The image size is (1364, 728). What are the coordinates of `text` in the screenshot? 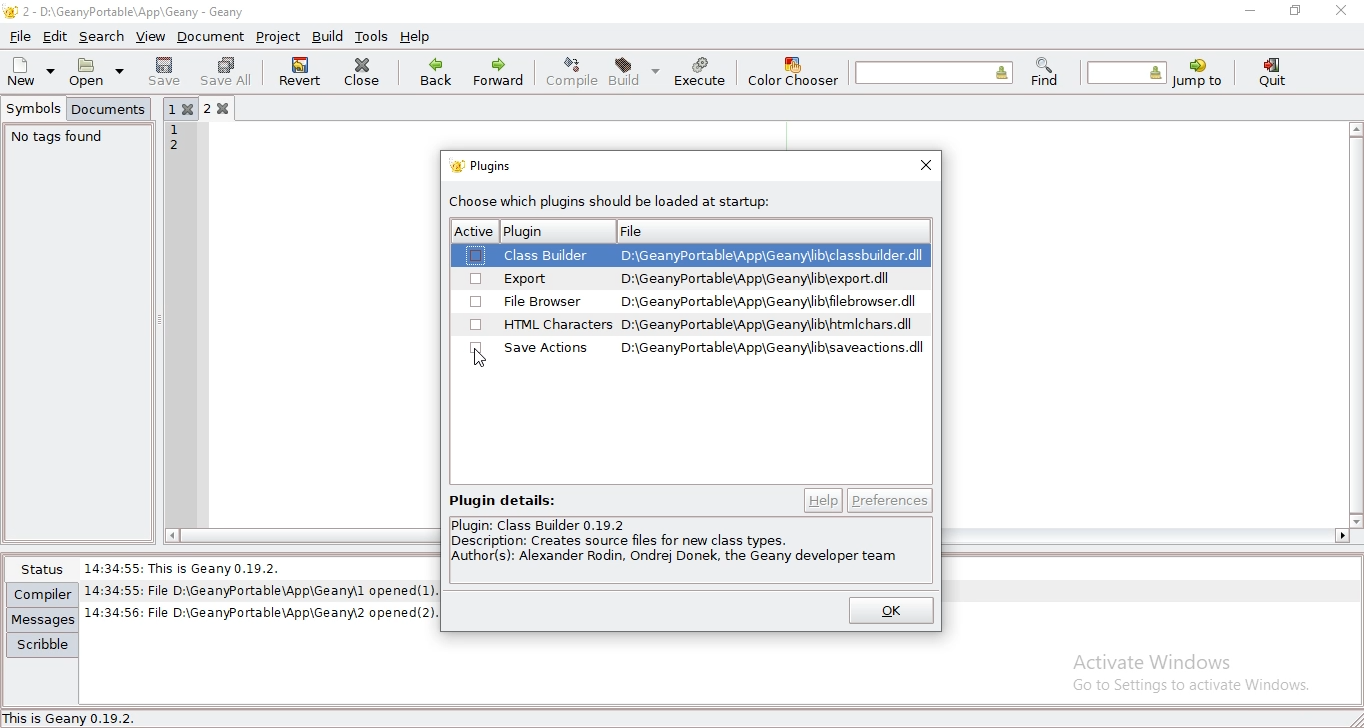 It's located at (500, 499).